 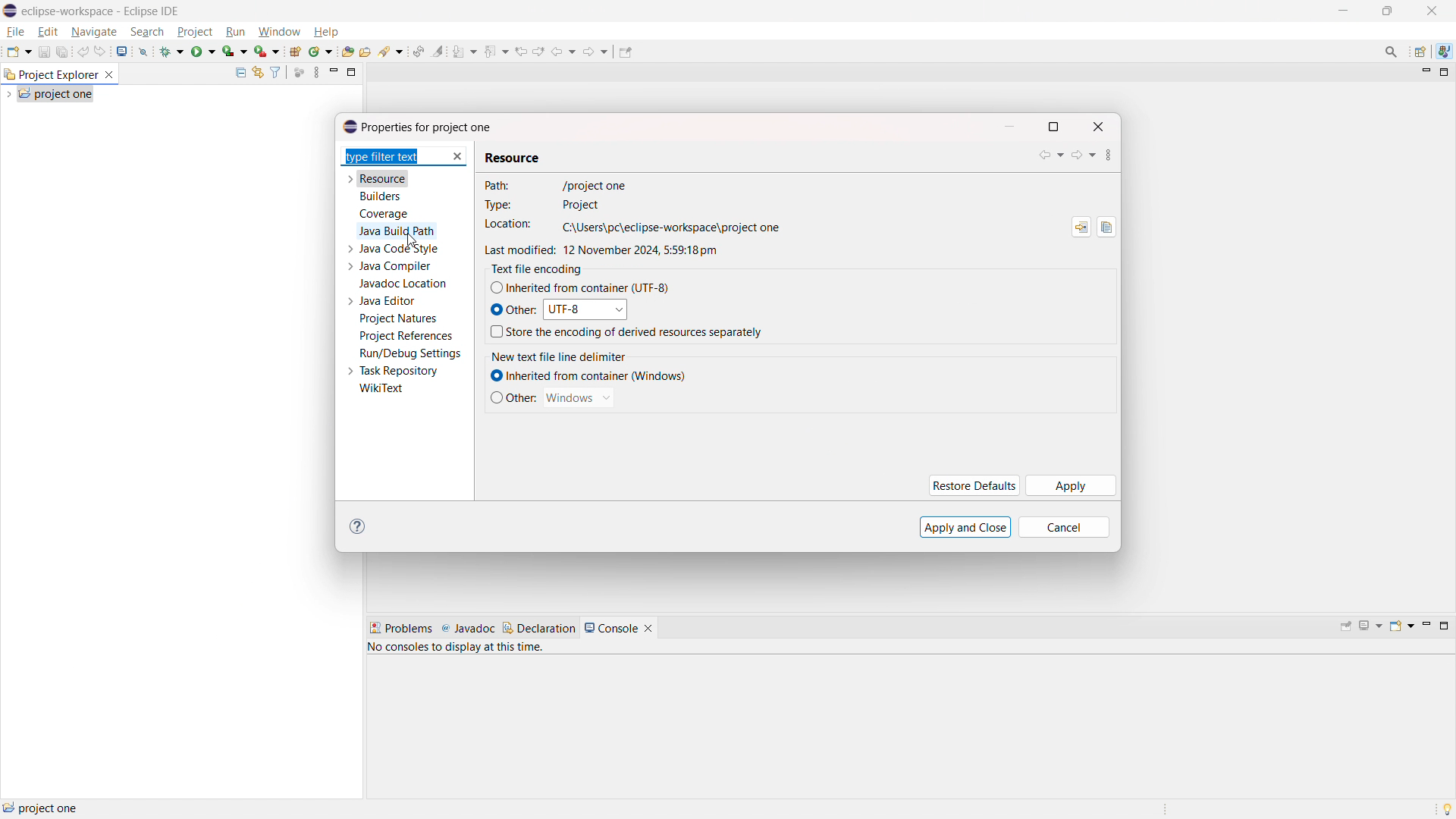 What do you see at coordinates (1392, 51) in the screenshot?
I see `access commands and other items` at bounding box center [1392, 51].